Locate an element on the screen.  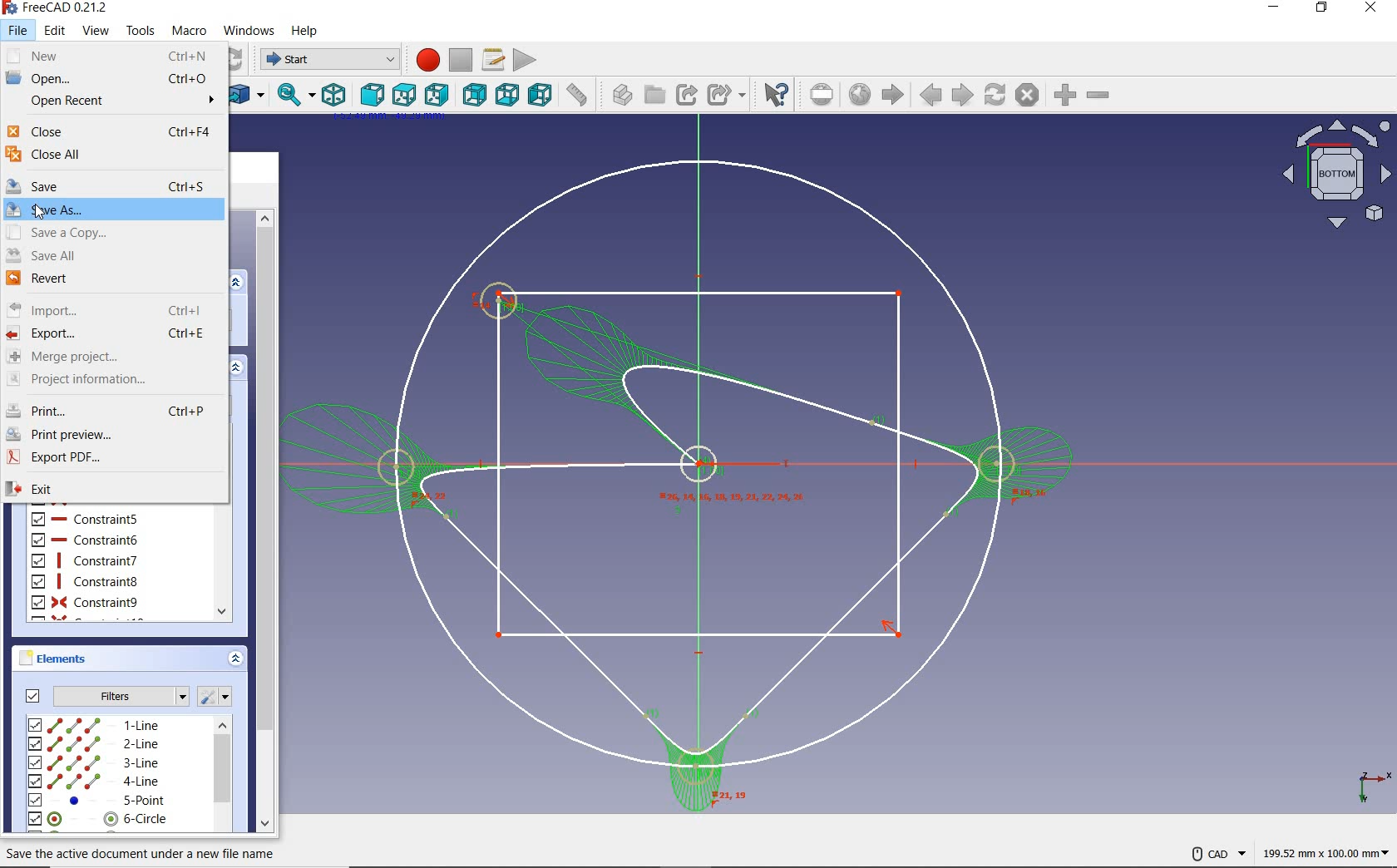
tools is located at coordinates (141, 29).